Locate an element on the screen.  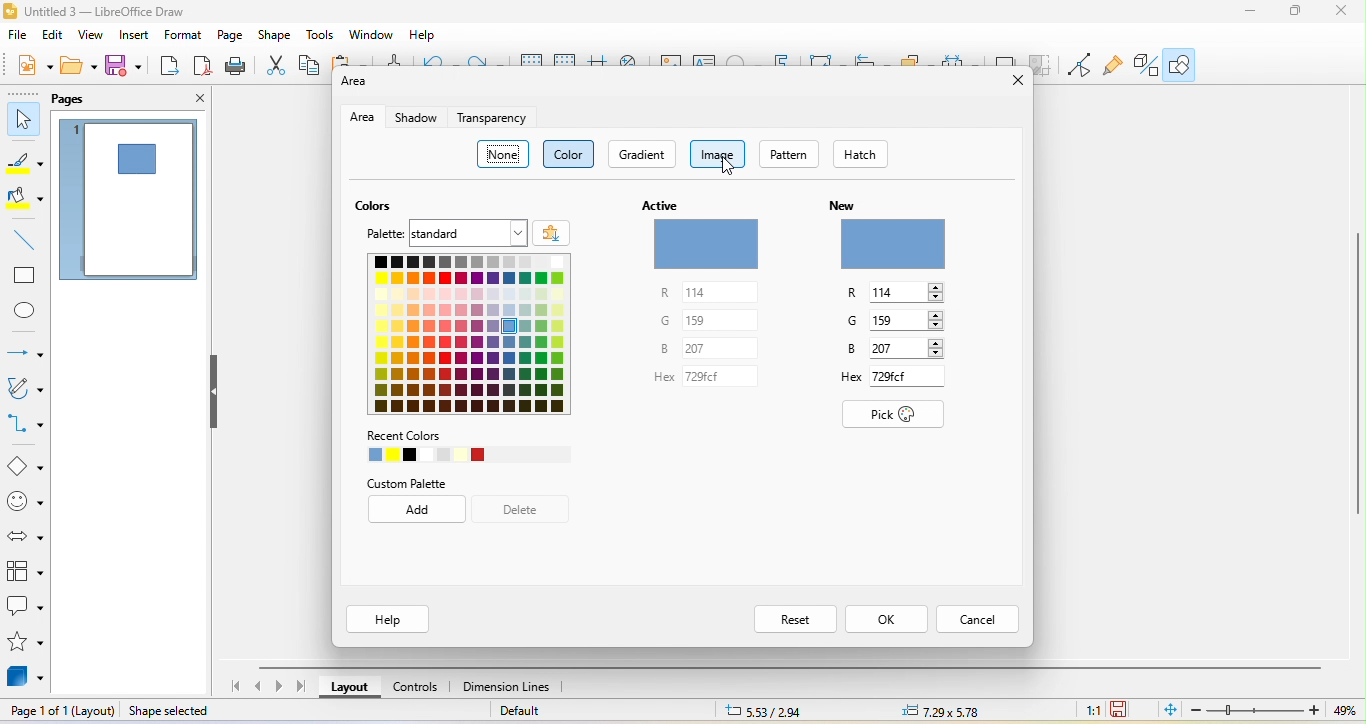
arrange is located at coordinates (917, 58).